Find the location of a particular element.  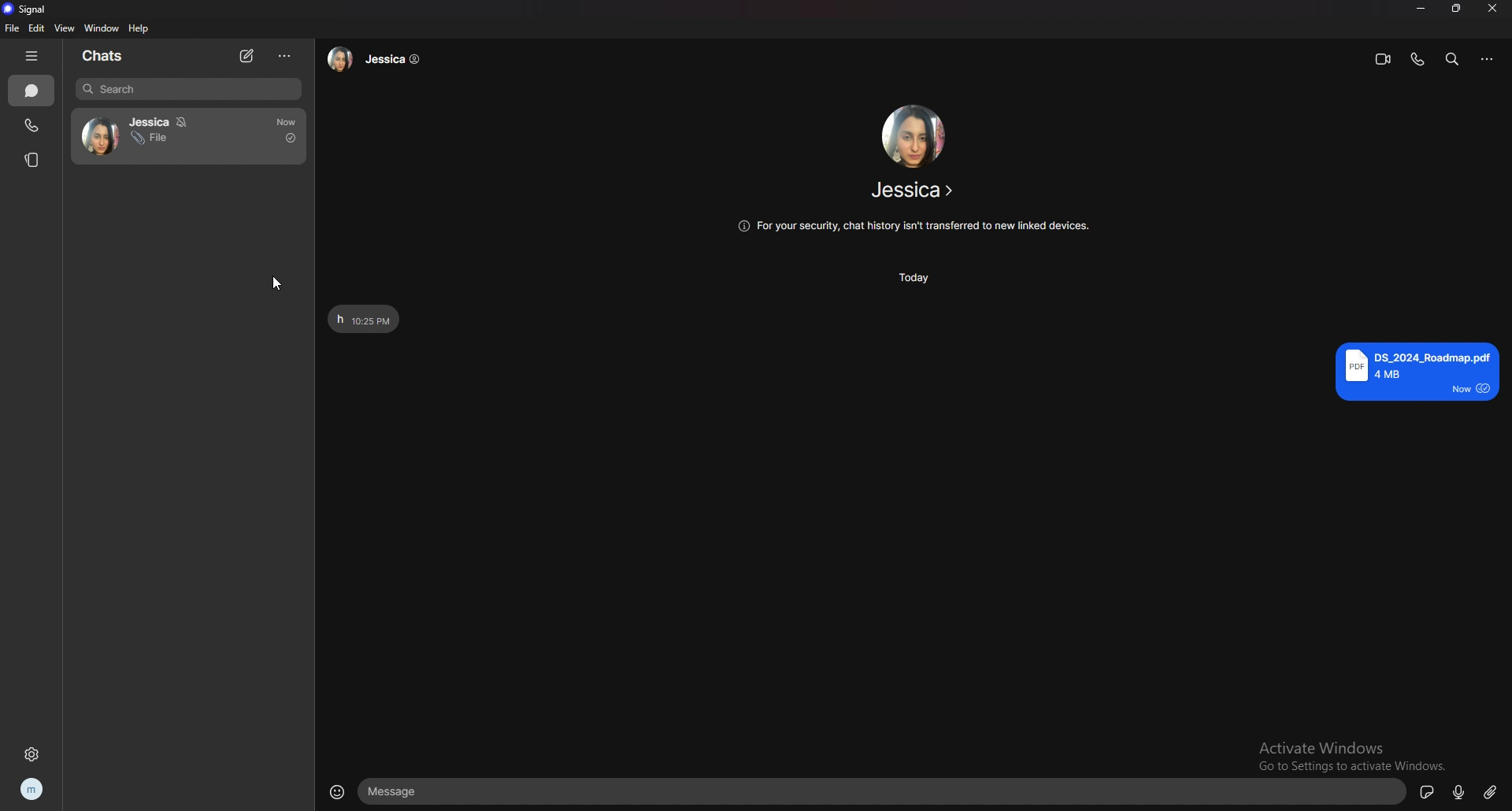

view is located at coordinates (63, 28).